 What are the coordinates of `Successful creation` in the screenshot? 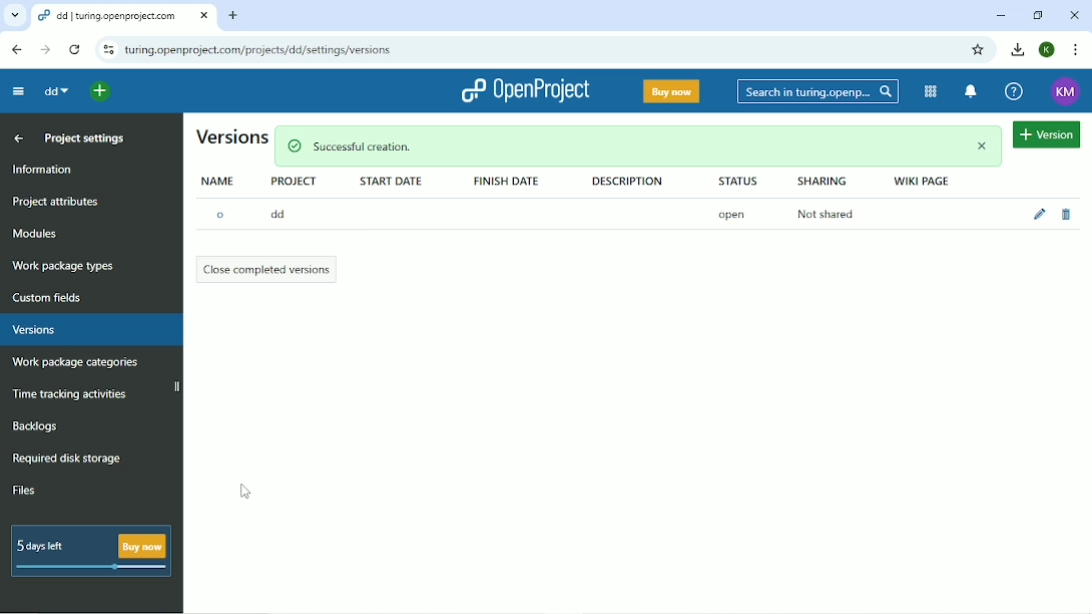 It's located at (639, 146).